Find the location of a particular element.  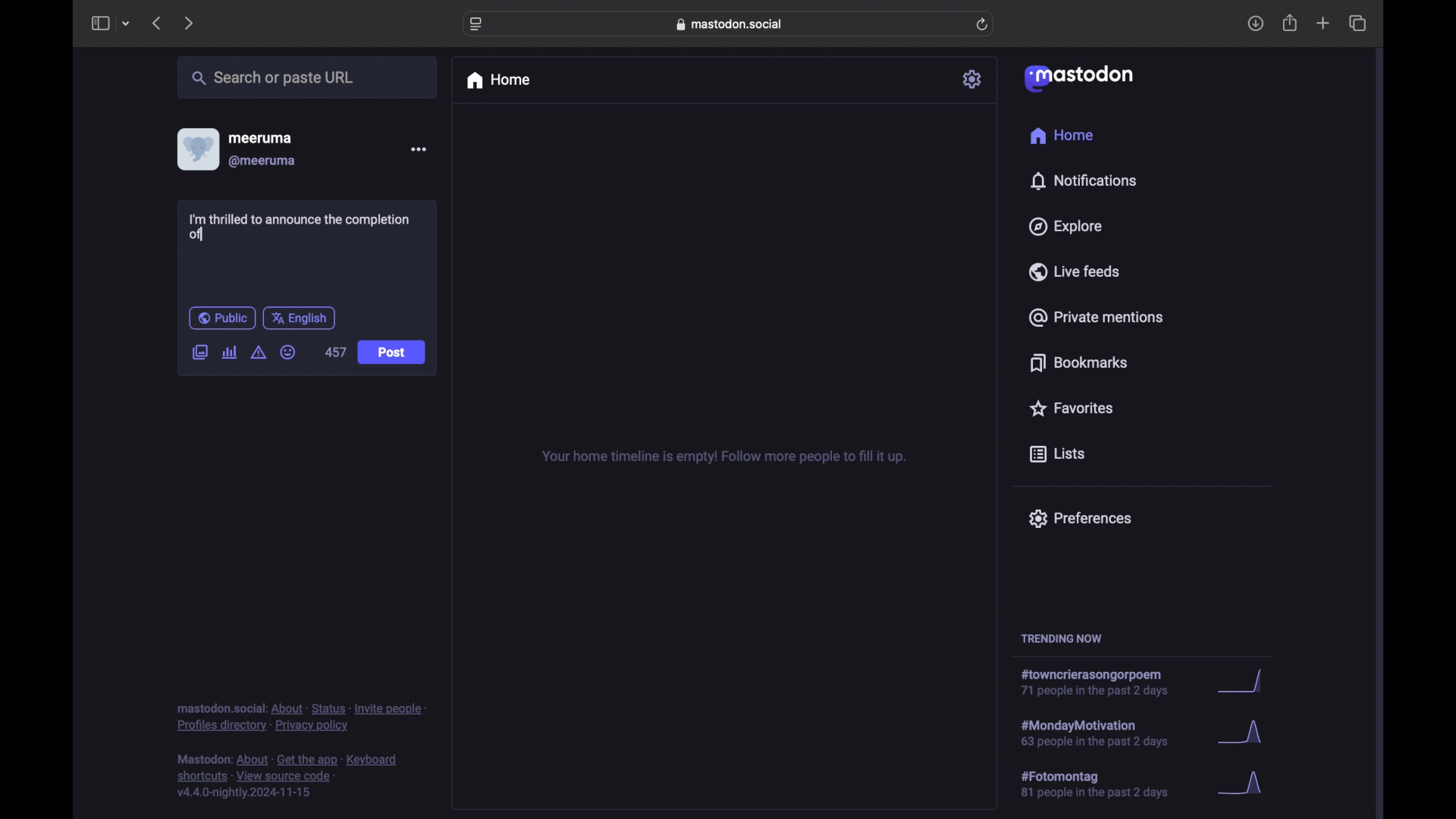

I'm thrilled to announce the completion of is located at coordinates (301, 227).